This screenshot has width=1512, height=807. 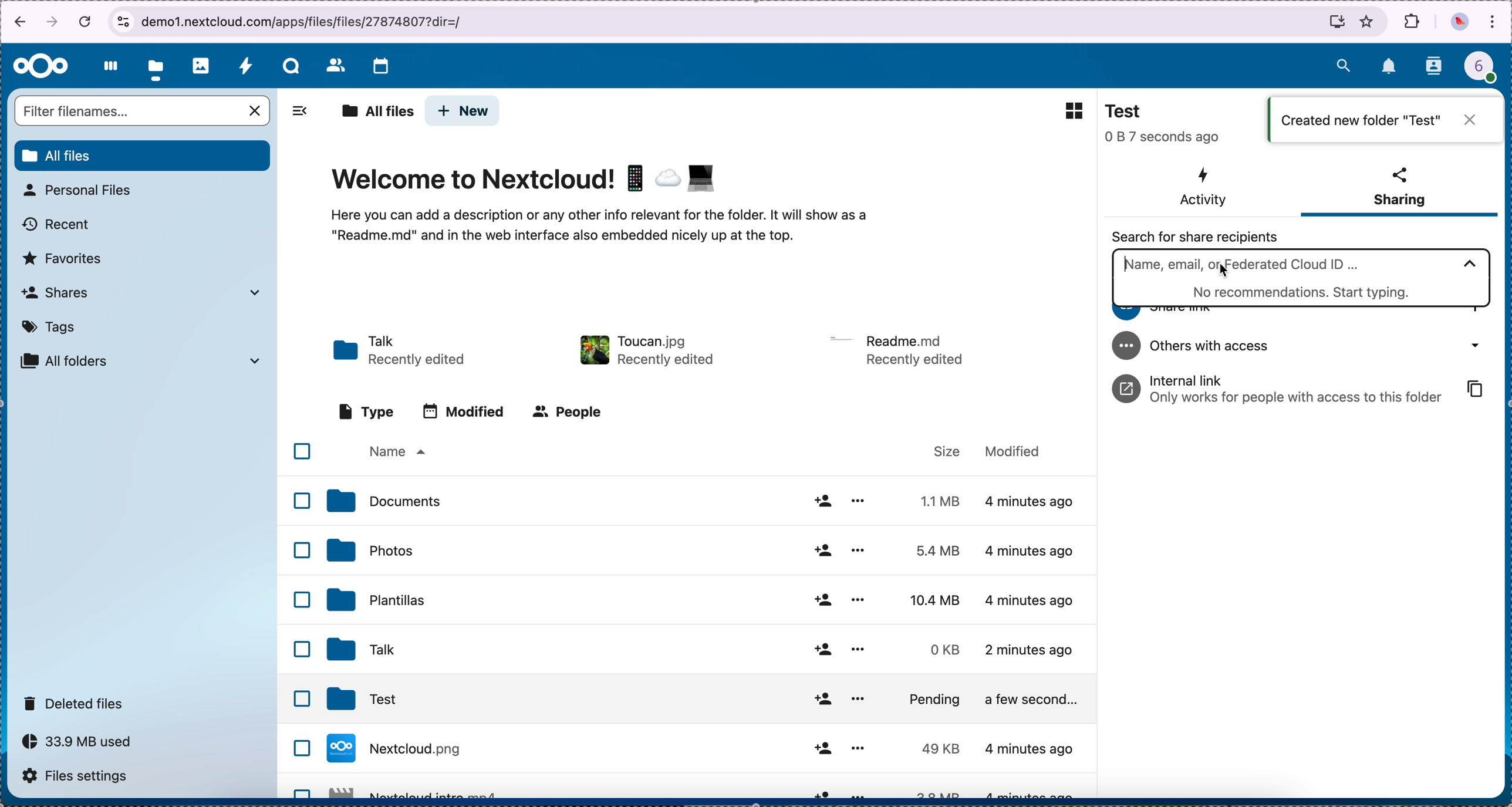 What do you see at coordinates (706, 551) in the screenshot?
I see `photos folder` at bounding box center [706, 551].